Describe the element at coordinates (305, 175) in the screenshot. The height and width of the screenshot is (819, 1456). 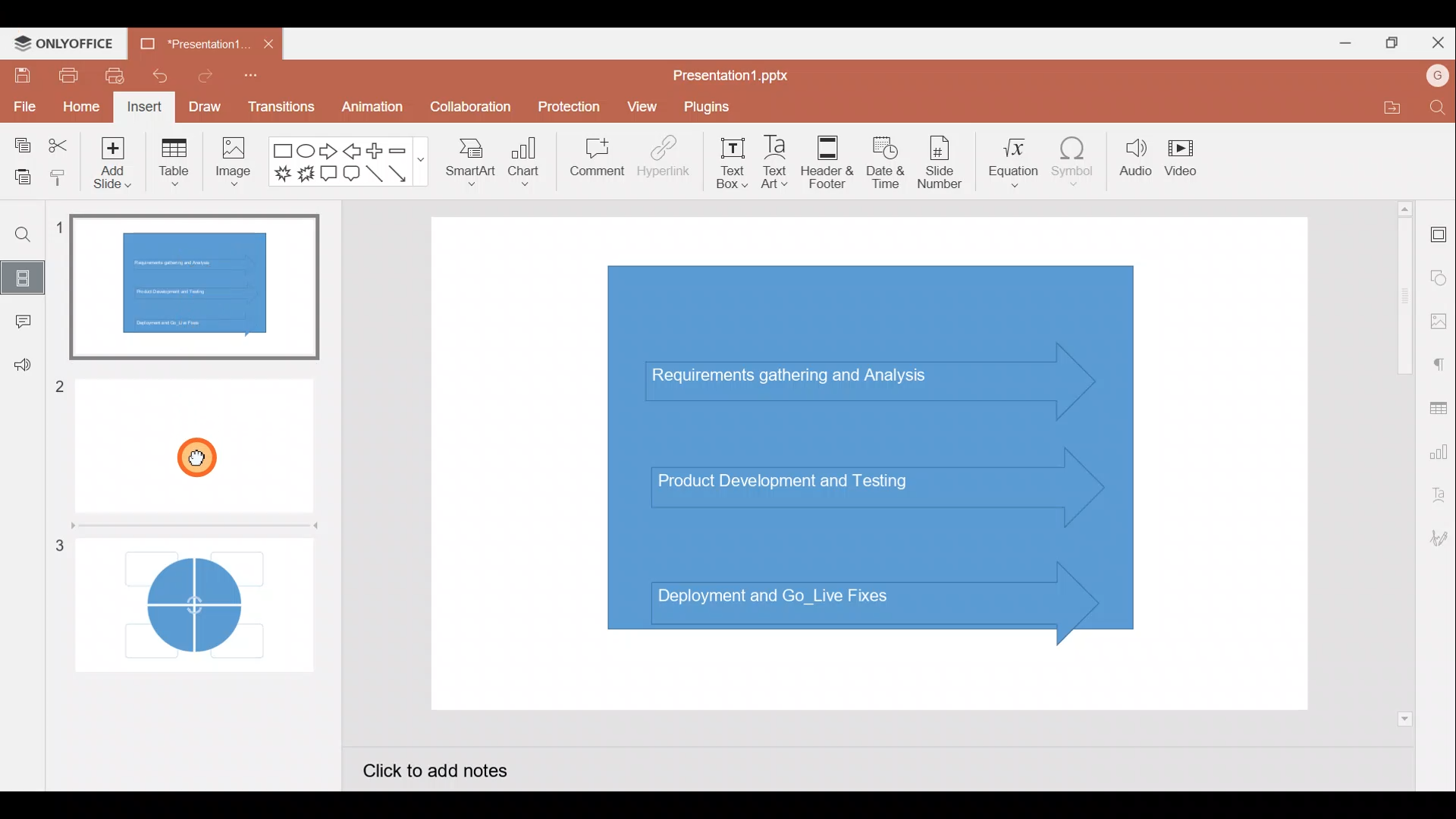
I see `Explosion 2` at that location.